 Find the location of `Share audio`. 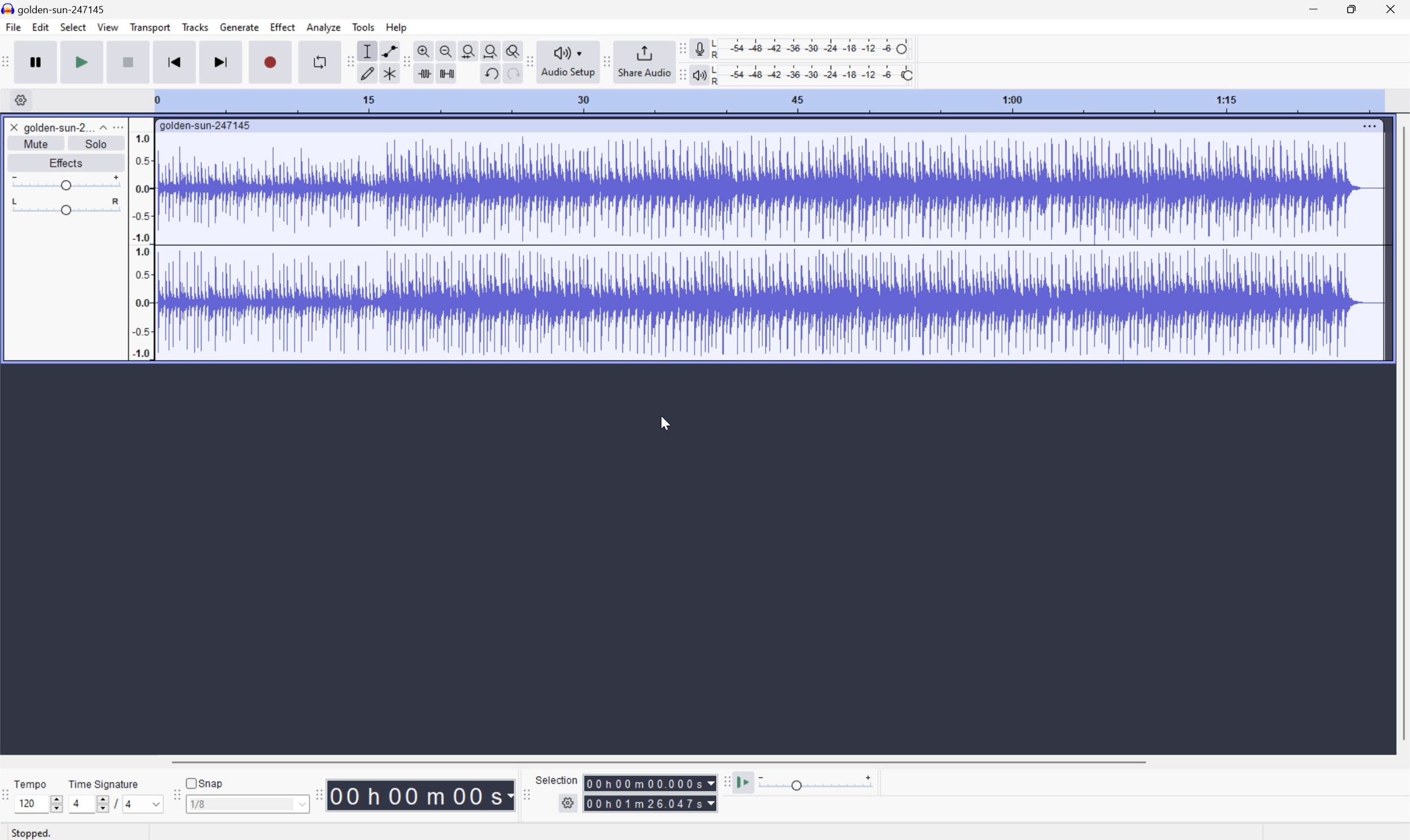

Share audio is located at coordinates (644, 62).